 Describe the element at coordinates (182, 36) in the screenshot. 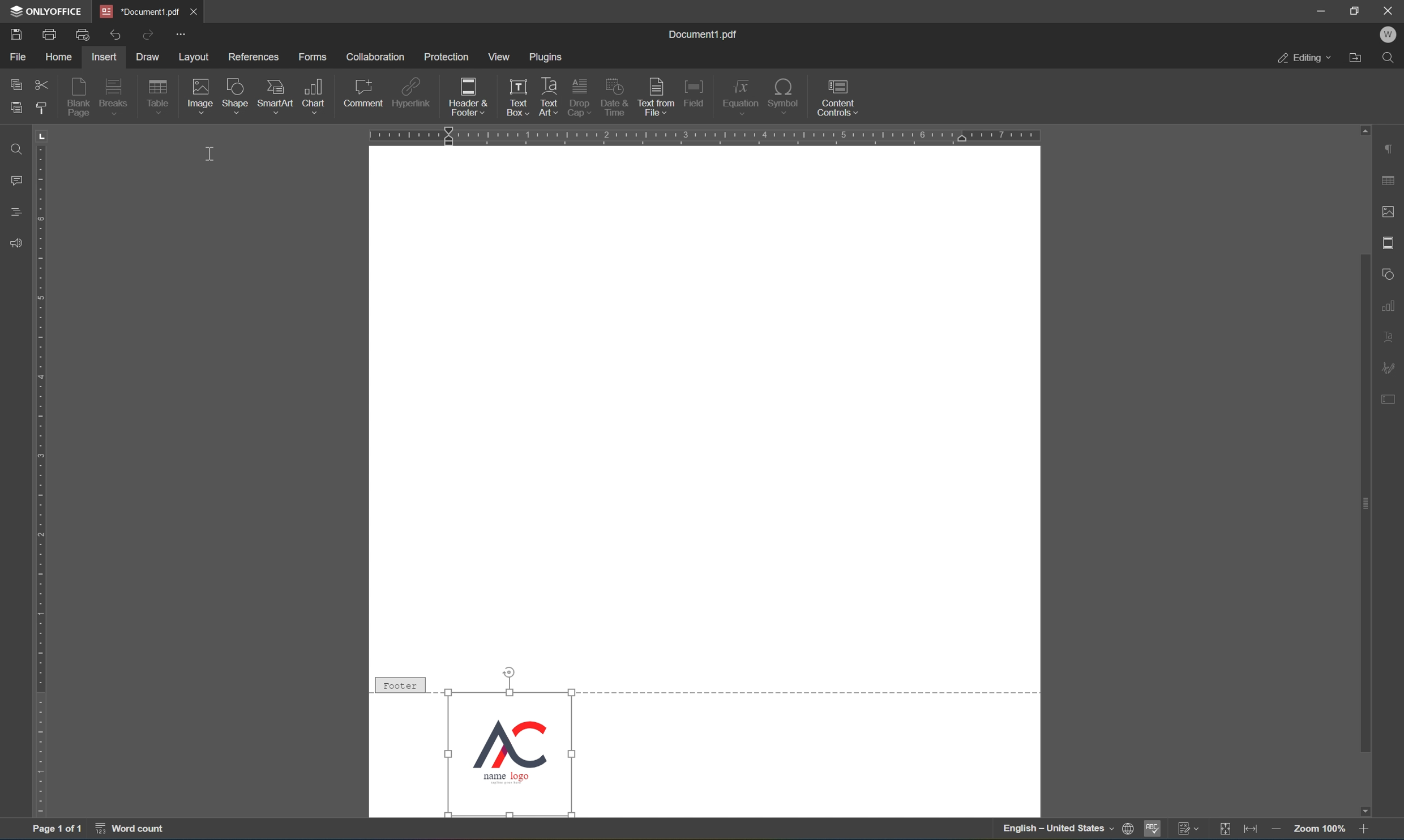

I see `Customize quick access tolbar` at that location.